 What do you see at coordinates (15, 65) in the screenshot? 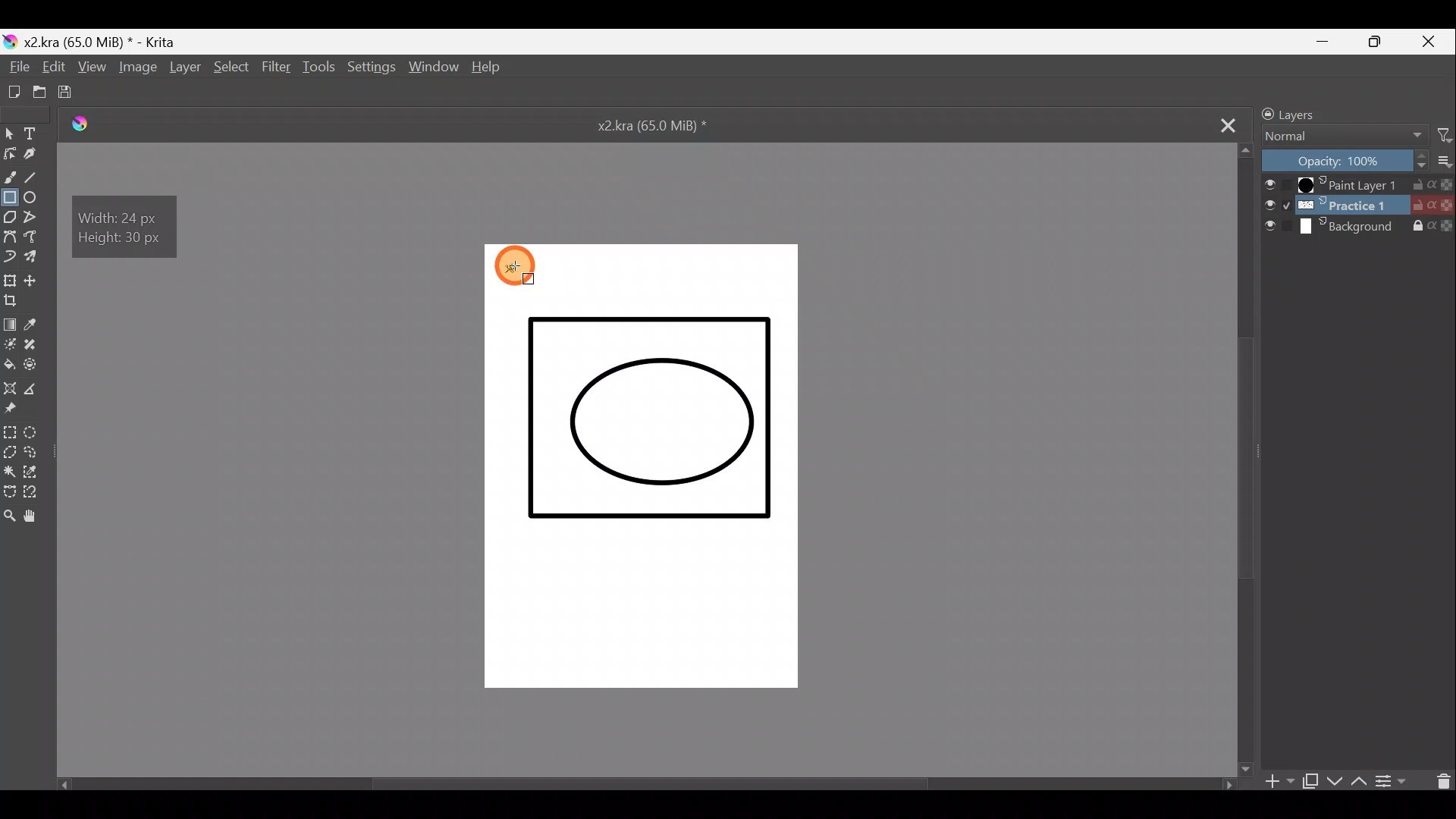
I see `File` at bounding box center [15, 65].